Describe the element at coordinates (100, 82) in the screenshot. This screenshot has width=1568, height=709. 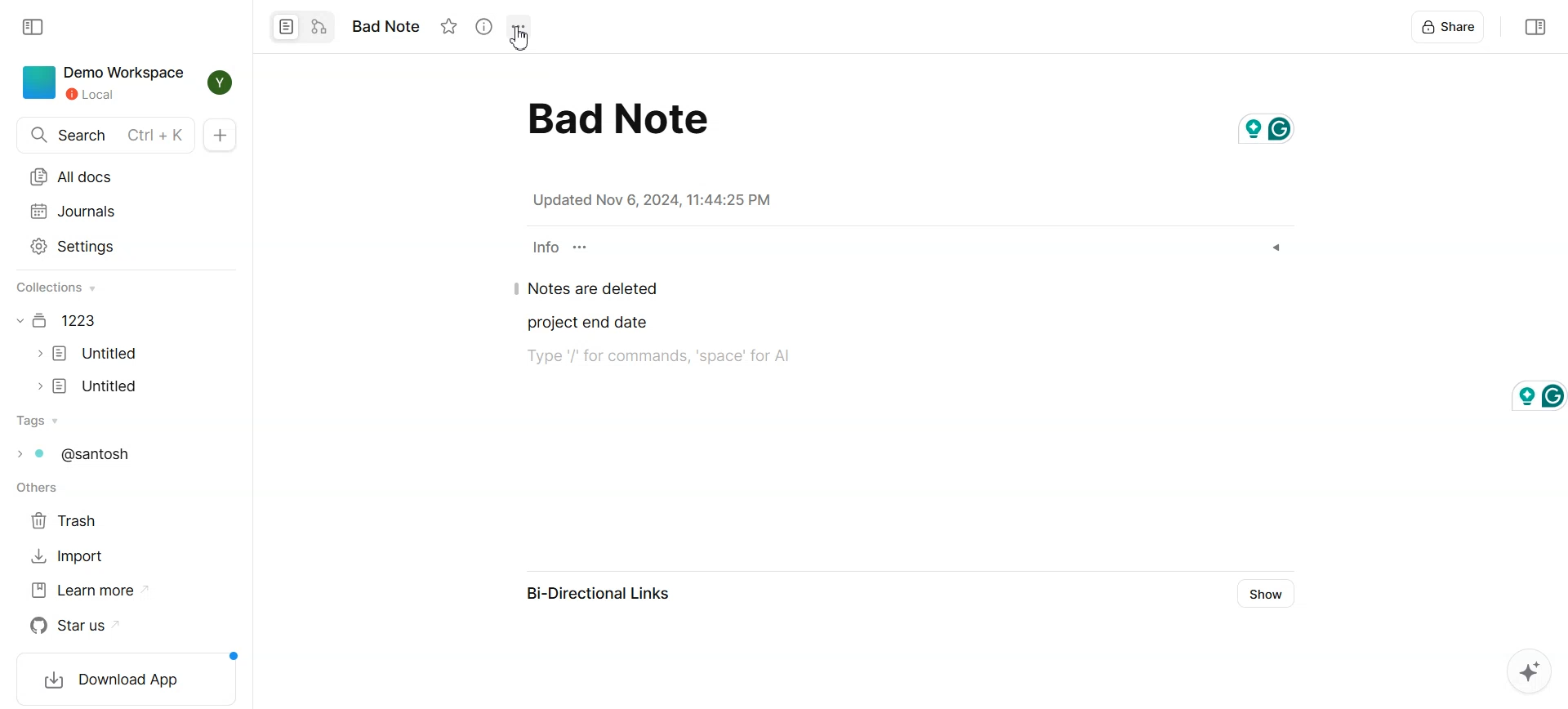
I see `Demo Workspace` at that location.